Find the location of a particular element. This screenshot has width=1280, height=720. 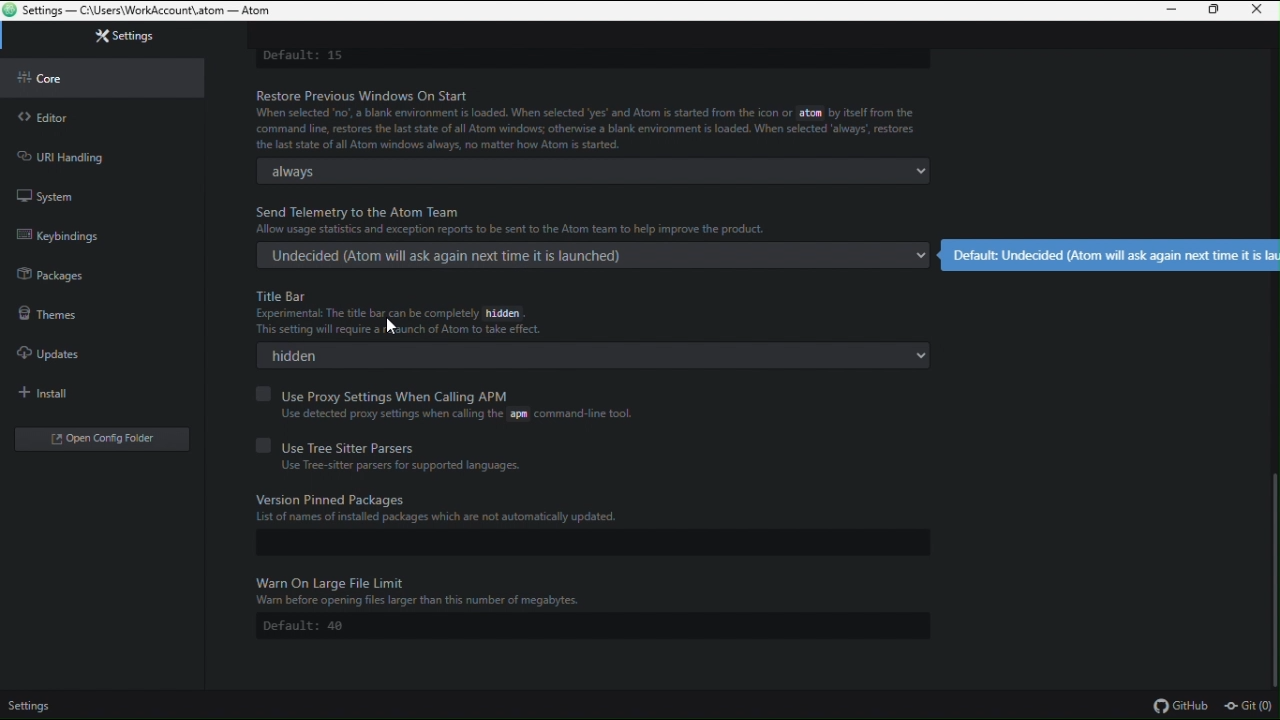

Title Bar
Experimenta: The title bar can be completely hidden
This setting will require 2 Raunch of Atom to take effect. is located at coordinates (403, 313).